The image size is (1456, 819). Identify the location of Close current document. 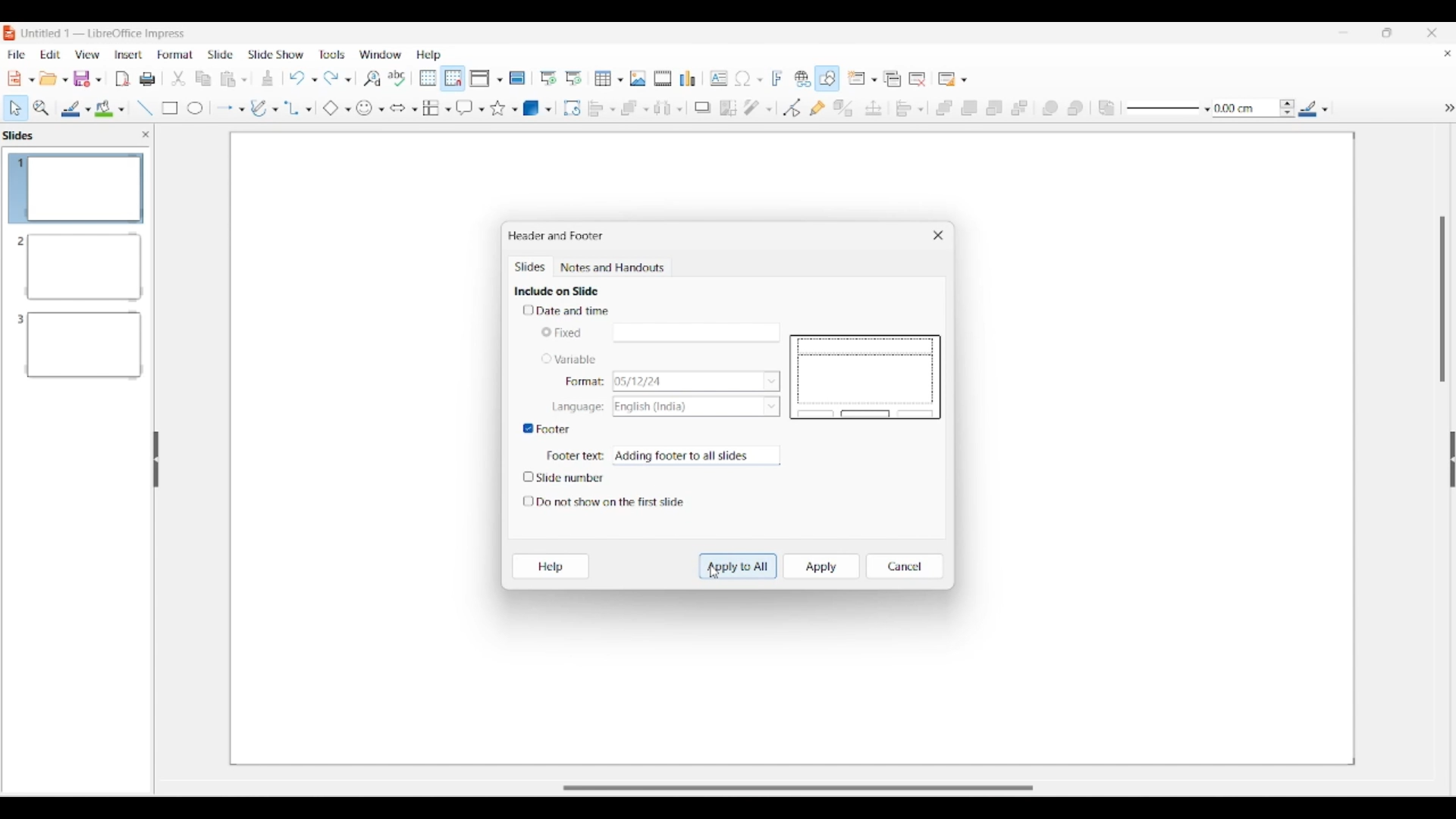
(1448, 53).